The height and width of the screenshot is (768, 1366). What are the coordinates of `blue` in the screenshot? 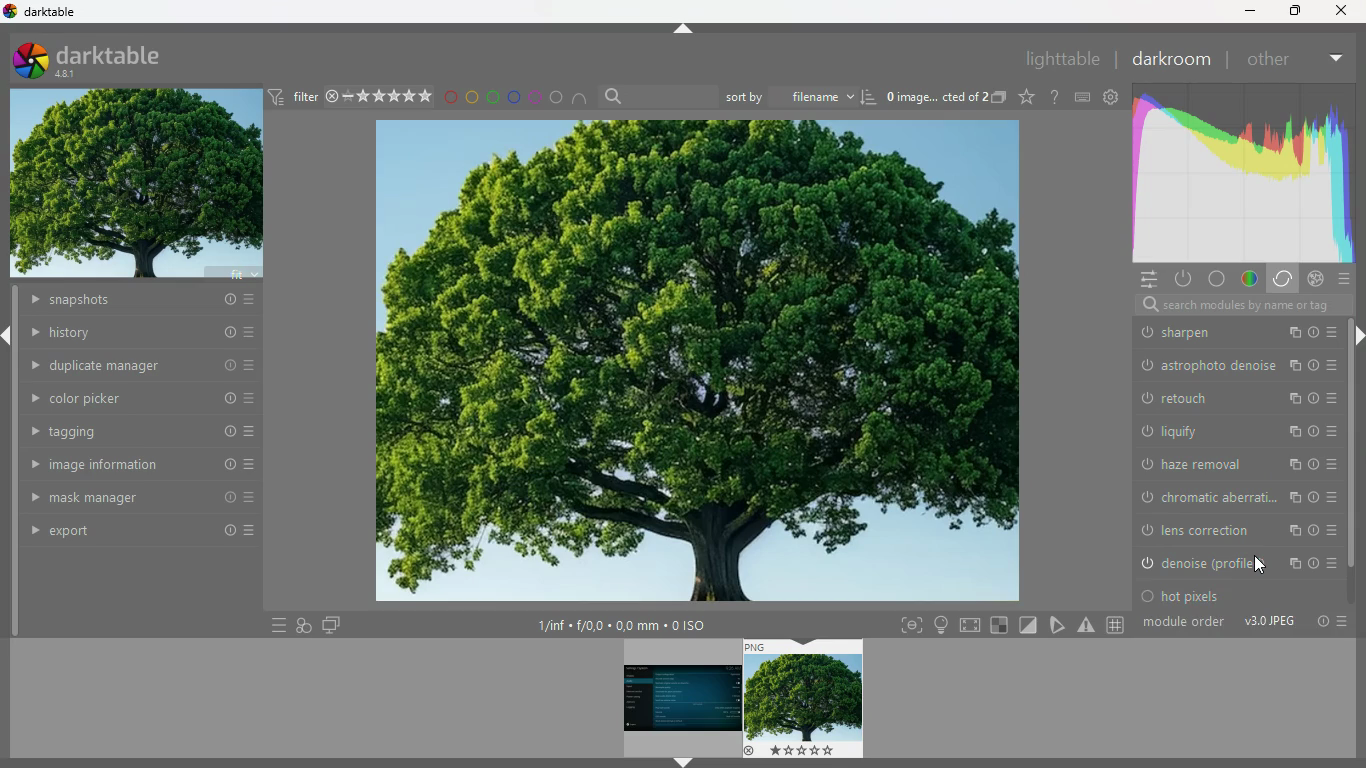 It's located at (515, 97).